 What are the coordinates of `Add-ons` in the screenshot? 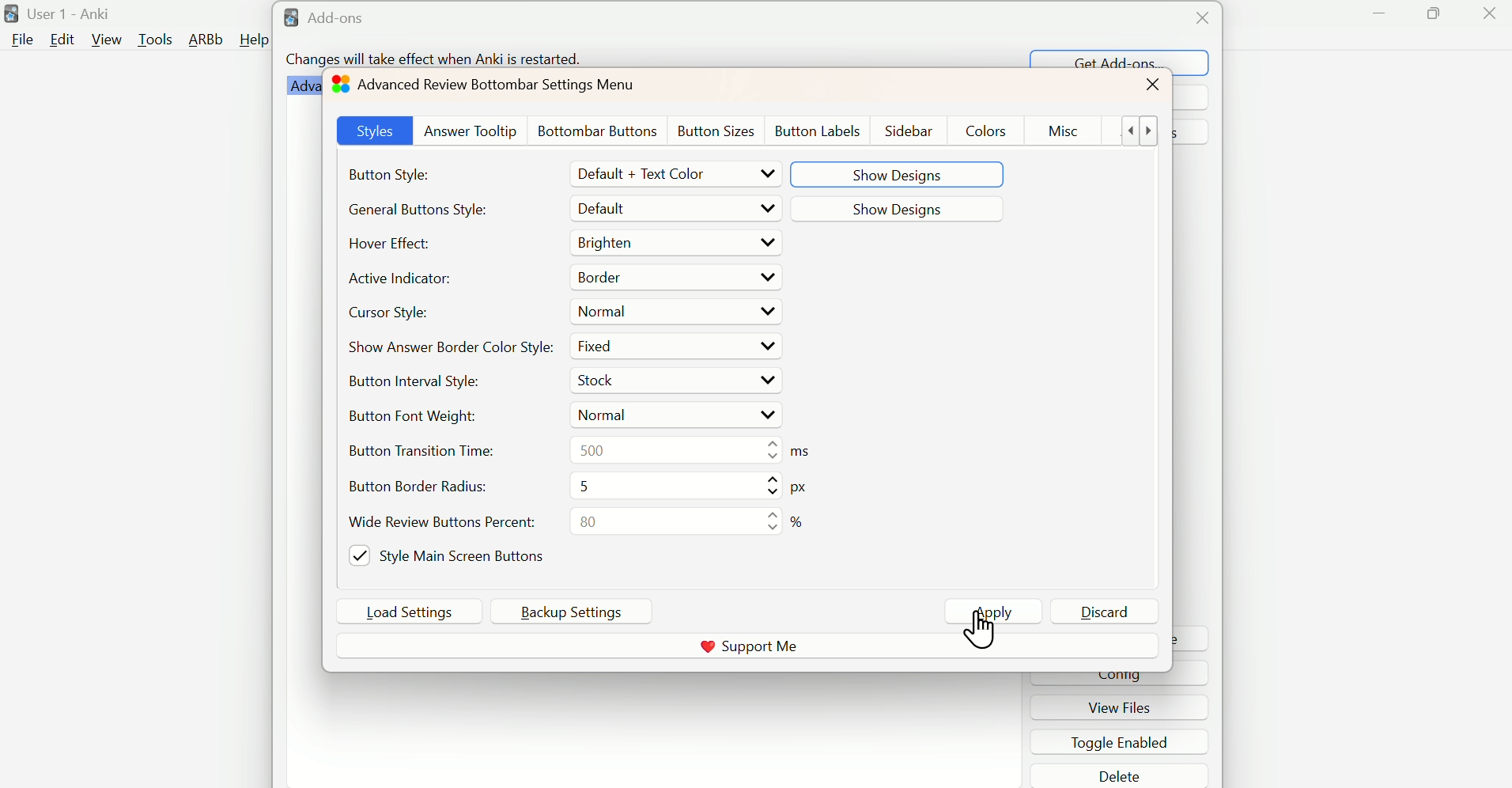 It's located at (323, 18).